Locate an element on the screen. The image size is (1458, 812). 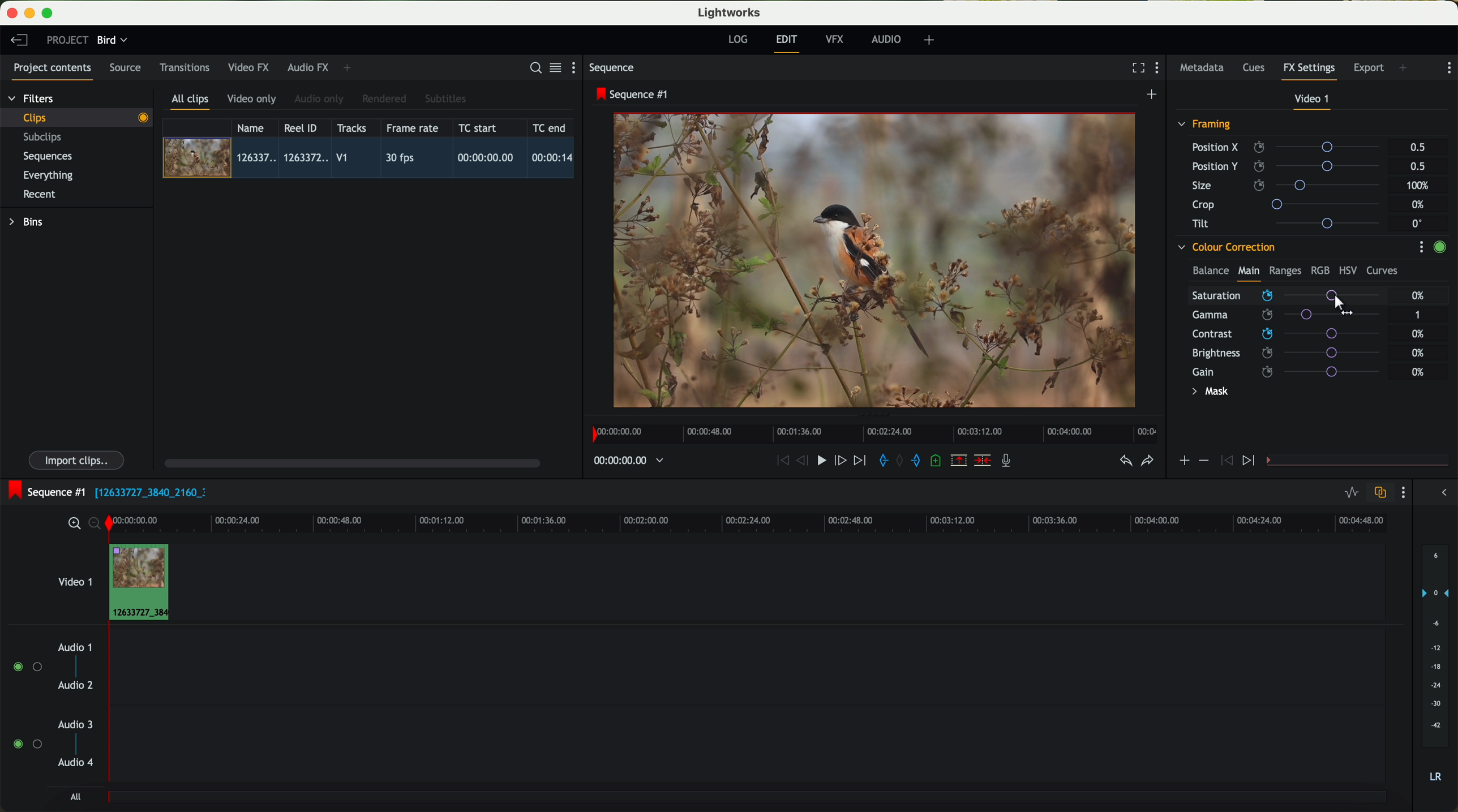
name is located at coordinates (255, 128).